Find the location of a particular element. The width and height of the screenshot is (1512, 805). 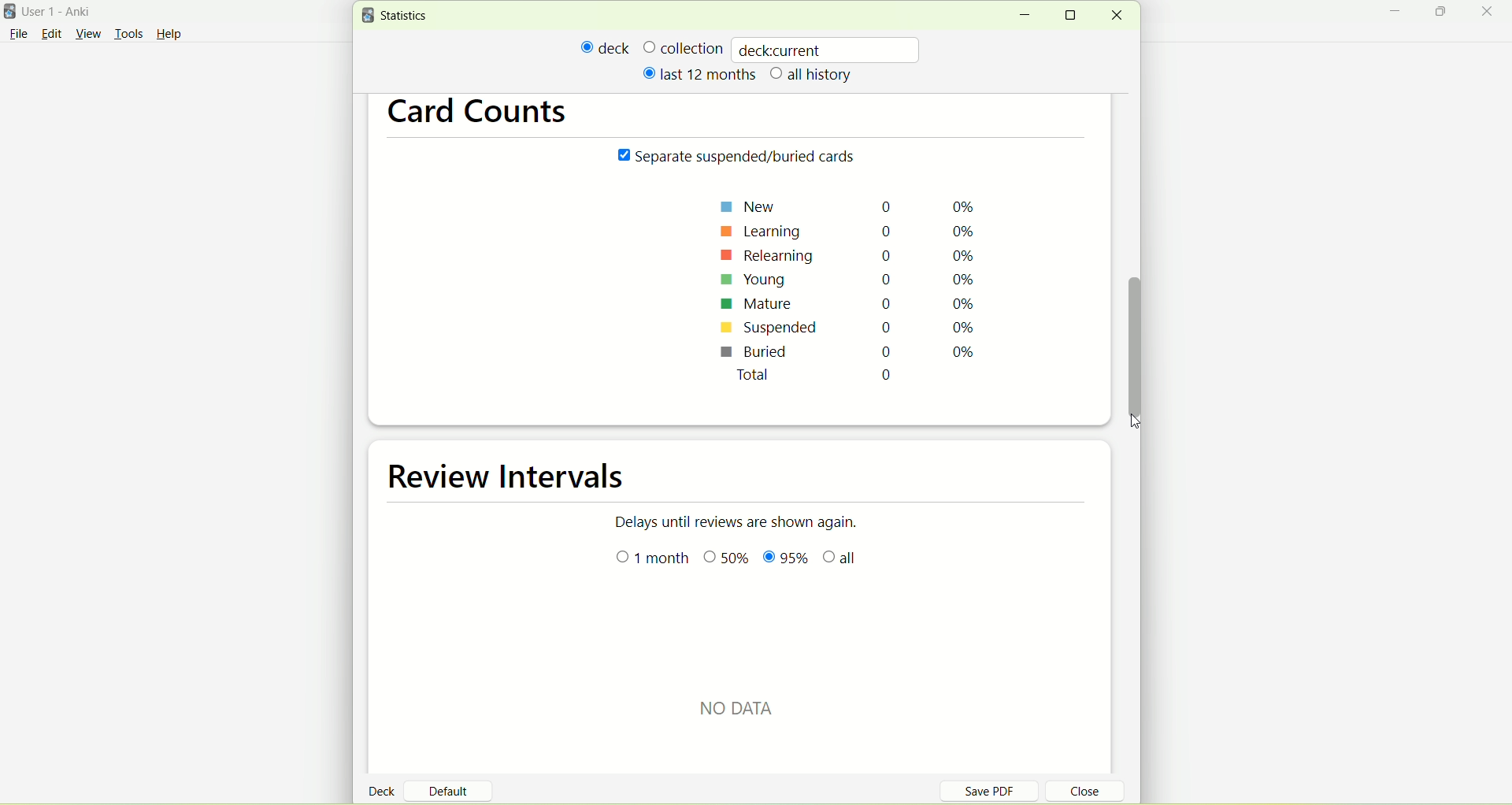

95% is located at coordinates (785, 559).